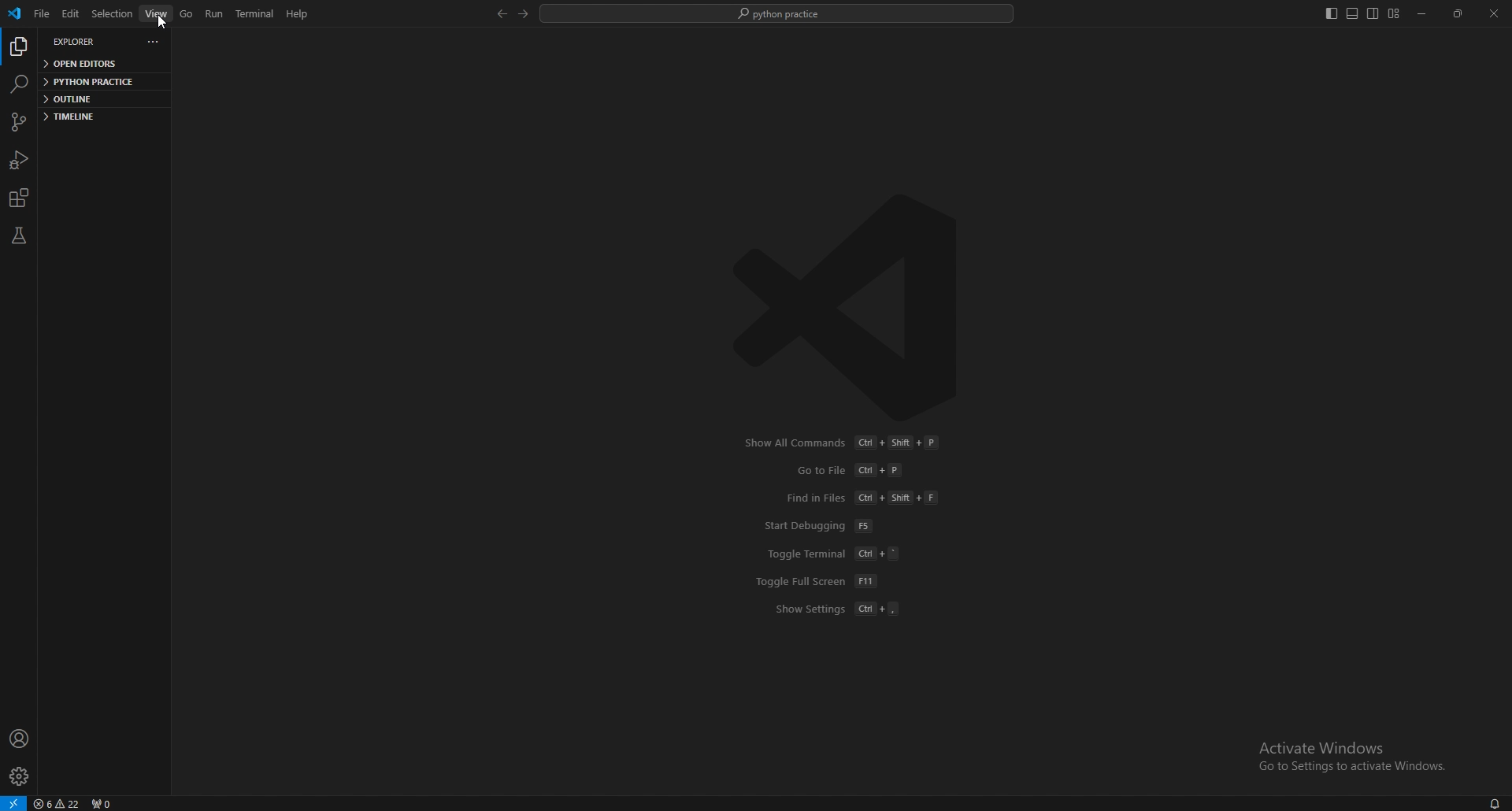  I want to click on forward, so click(523, 13).